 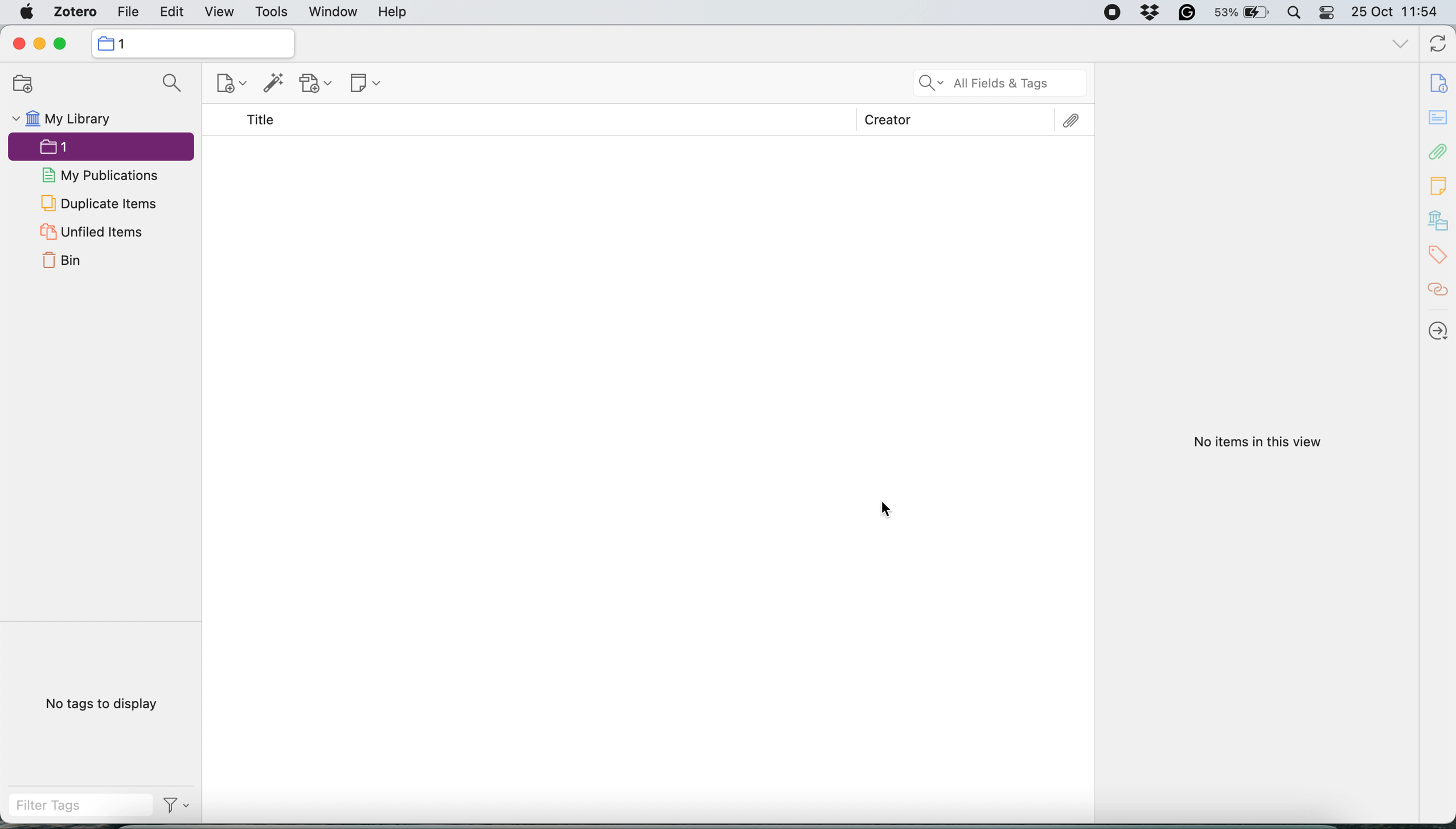 I want to click on add item, so click(x=272, y=83).